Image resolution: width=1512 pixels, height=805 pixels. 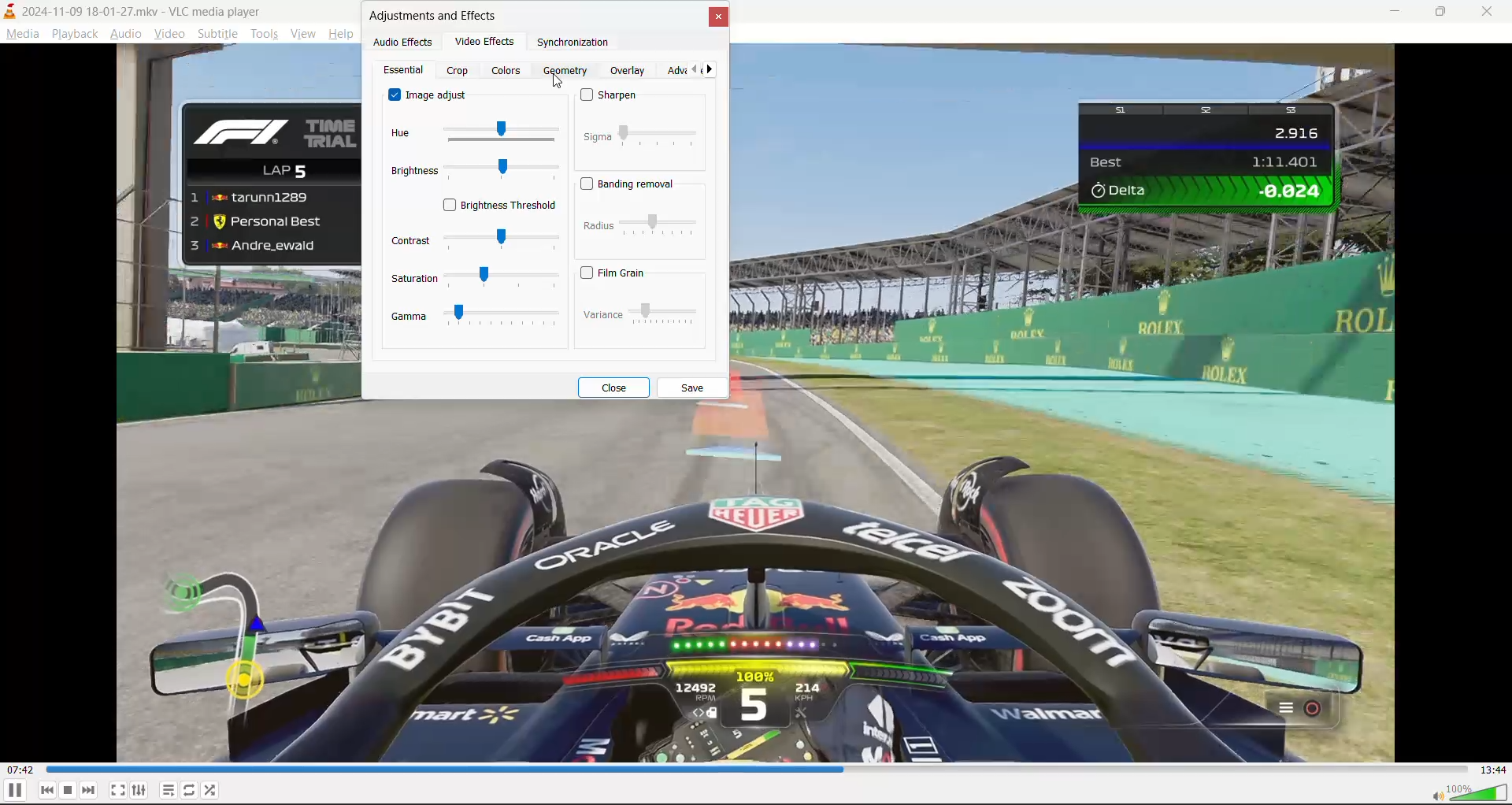 What do you see at coordinates (1493, 770) in the screenshot?
I see `total track time` at bounding box center [1493, 770].